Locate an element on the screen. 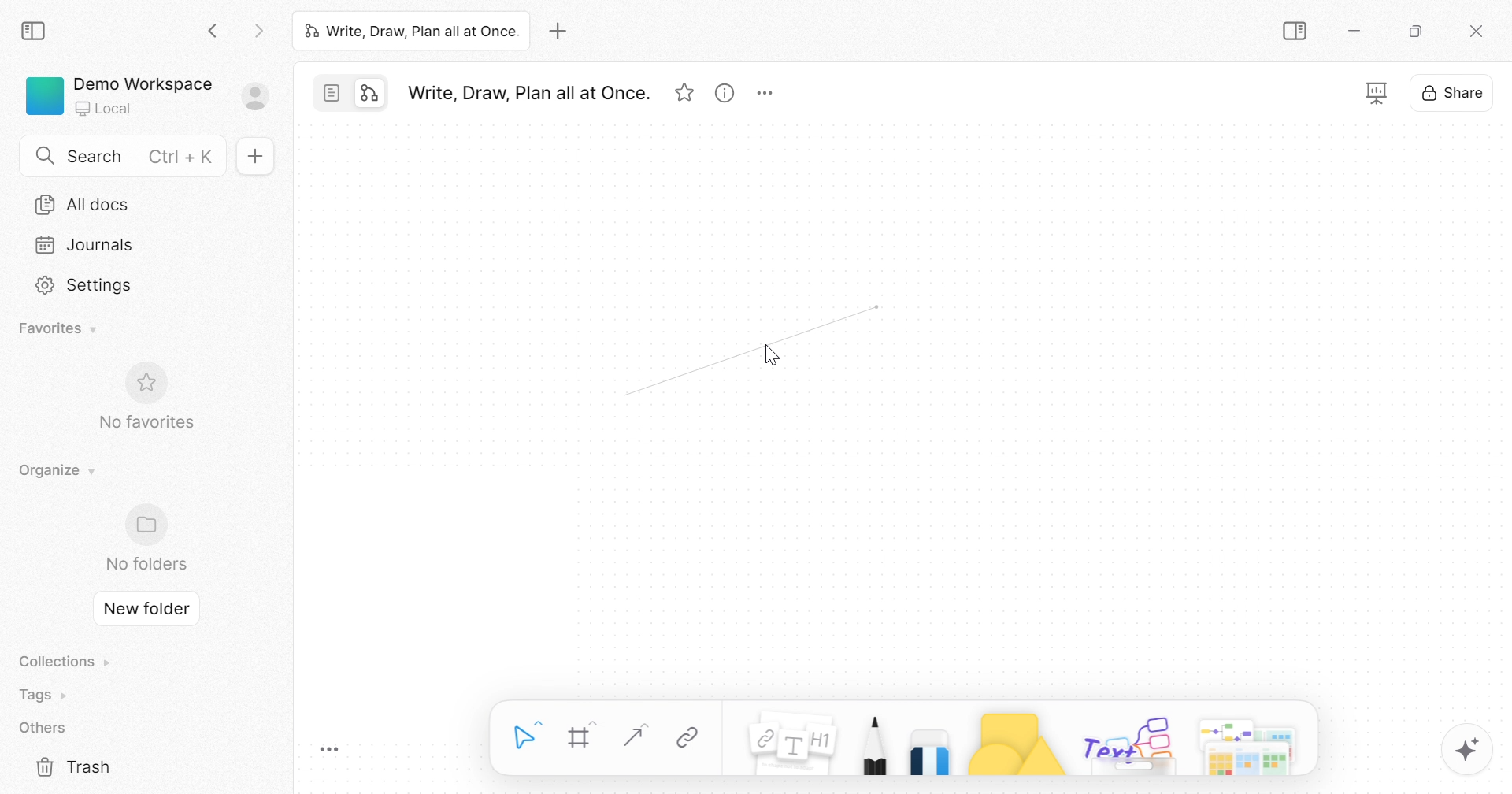 This screenshot has height=794, width=1512. Shape is located at coordinates (1015, 742).